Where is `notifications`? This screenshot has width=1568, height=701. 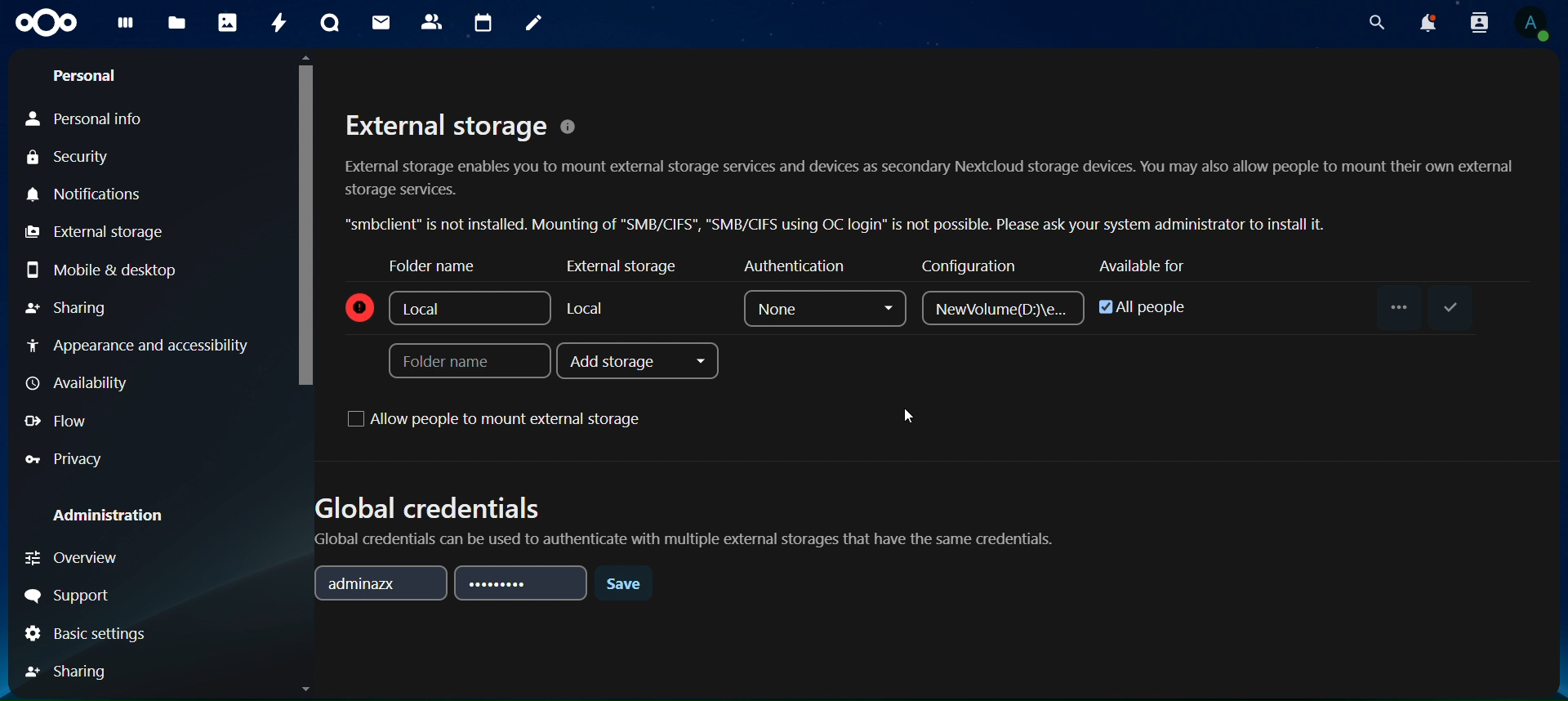 notifications is located at coordinates (84, 194).